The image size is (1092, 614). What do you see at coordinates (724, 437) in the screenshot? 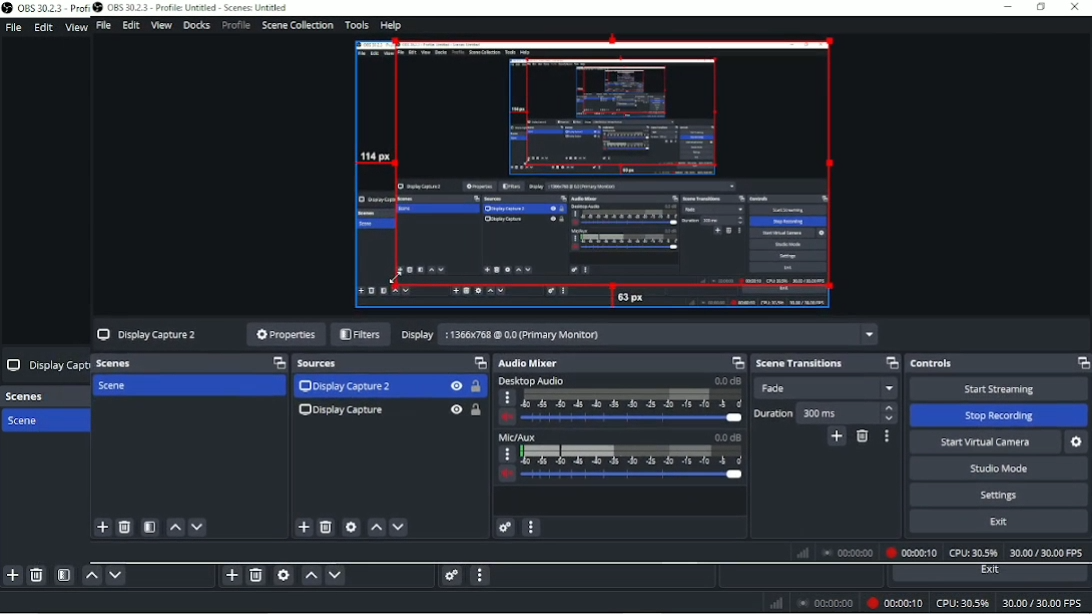
I see `0.0 dB` at bounding box center [724, 437].